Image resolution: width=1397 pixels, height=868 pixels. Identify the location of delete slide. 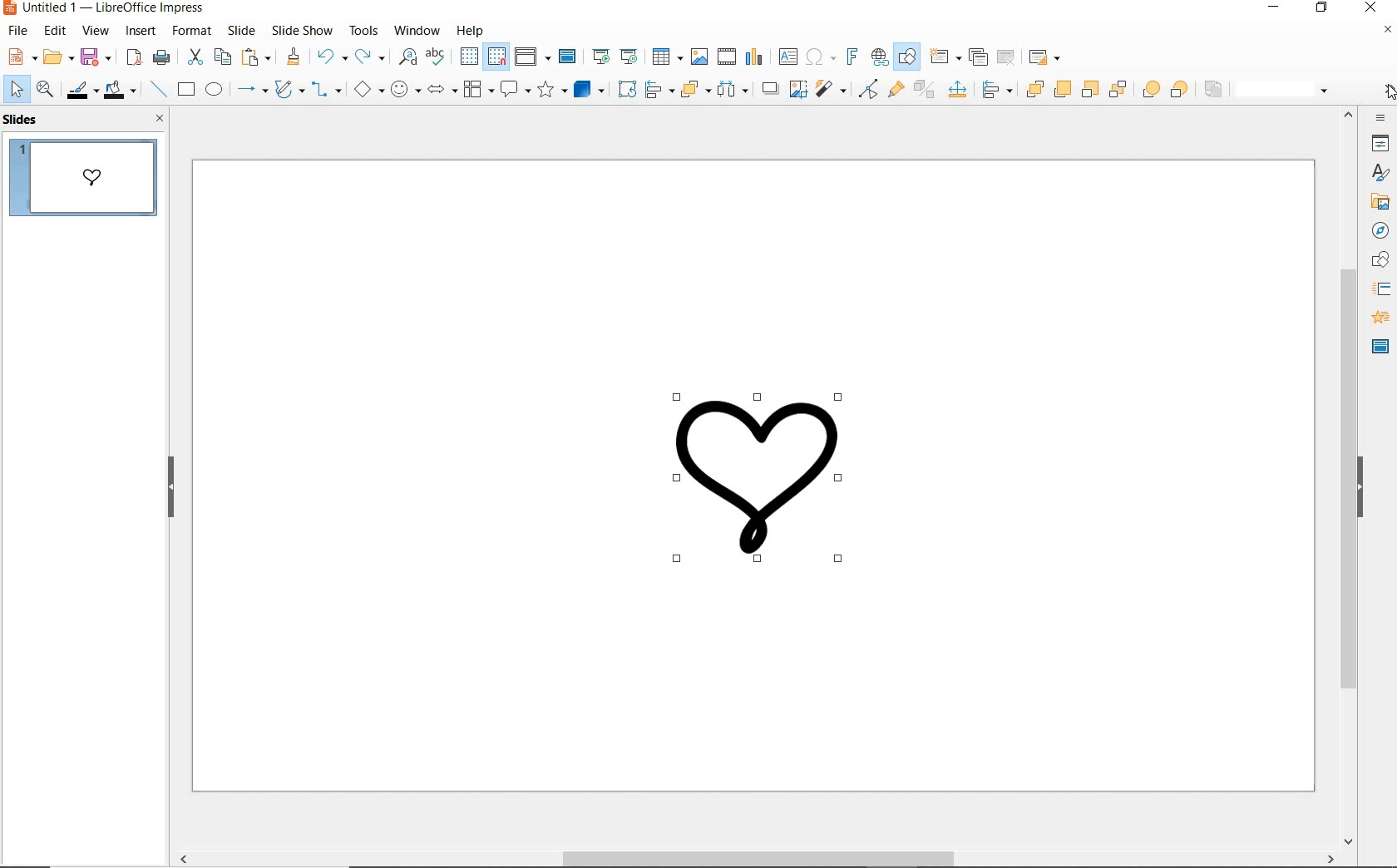
(1006, 57).